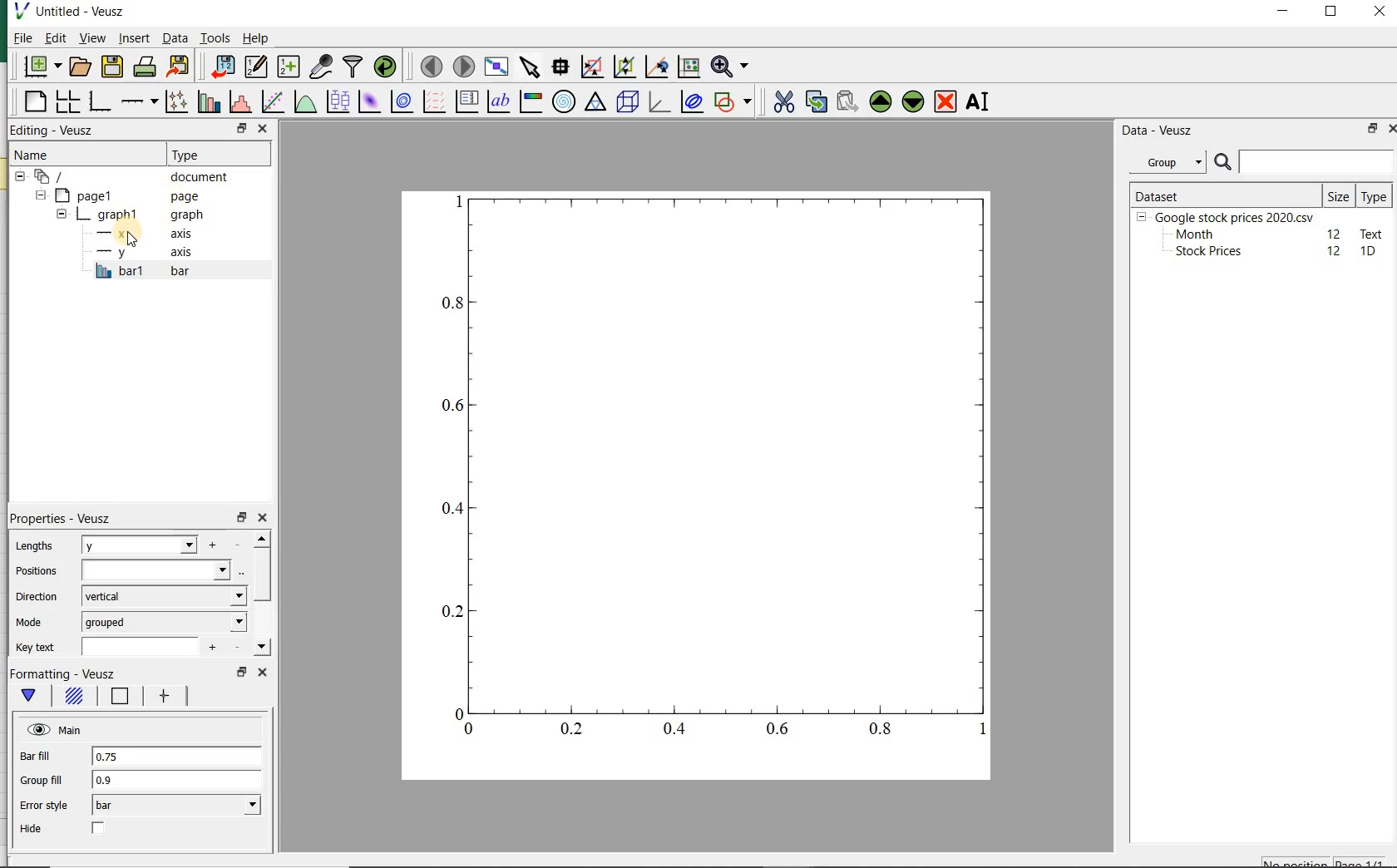 This screenshot has width=1397, height=868. Describe the element at coordinates (628, 103) in the screenshot. I see `3d scene` at that location.